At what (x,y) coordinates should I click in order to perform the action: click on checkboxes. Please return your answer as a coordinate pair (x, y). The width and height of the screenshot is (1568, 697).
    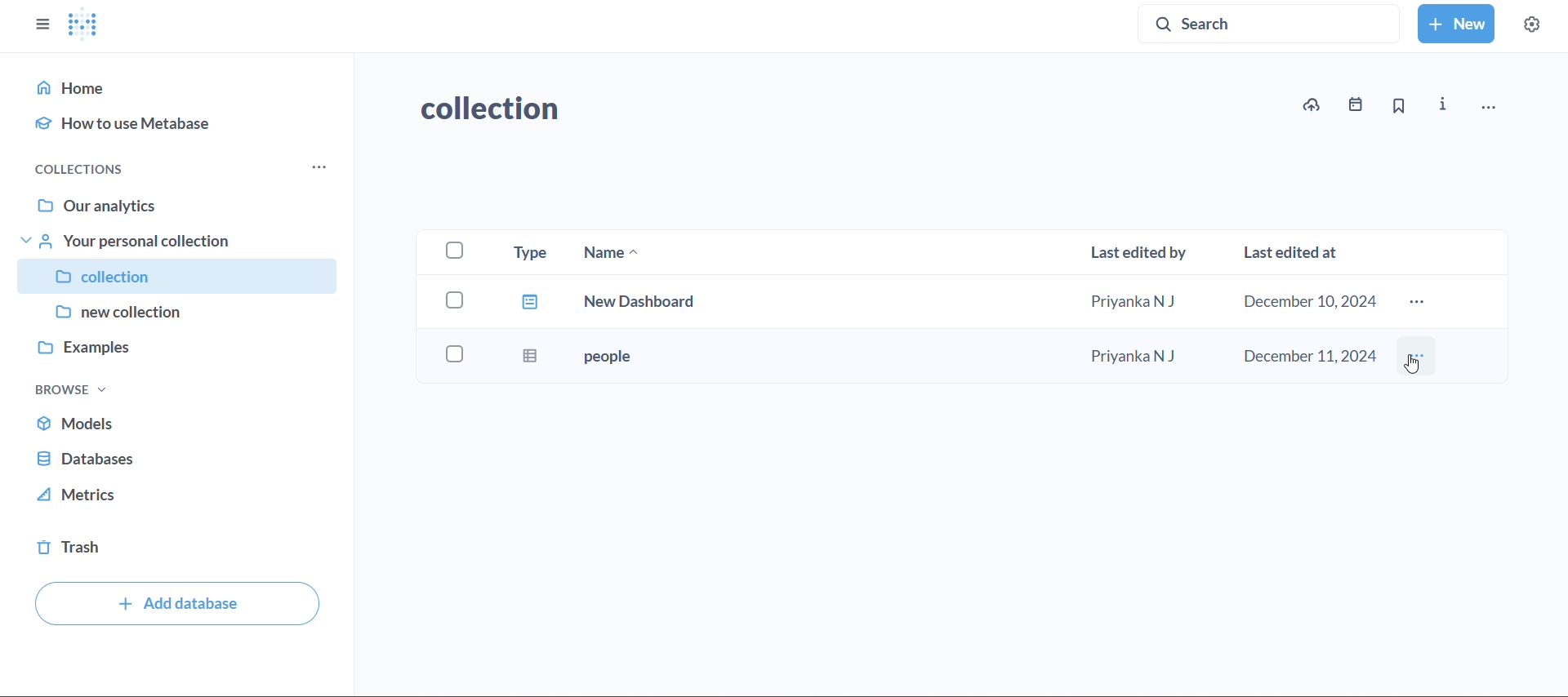
    Looking at the image, I should click on (451, 304).